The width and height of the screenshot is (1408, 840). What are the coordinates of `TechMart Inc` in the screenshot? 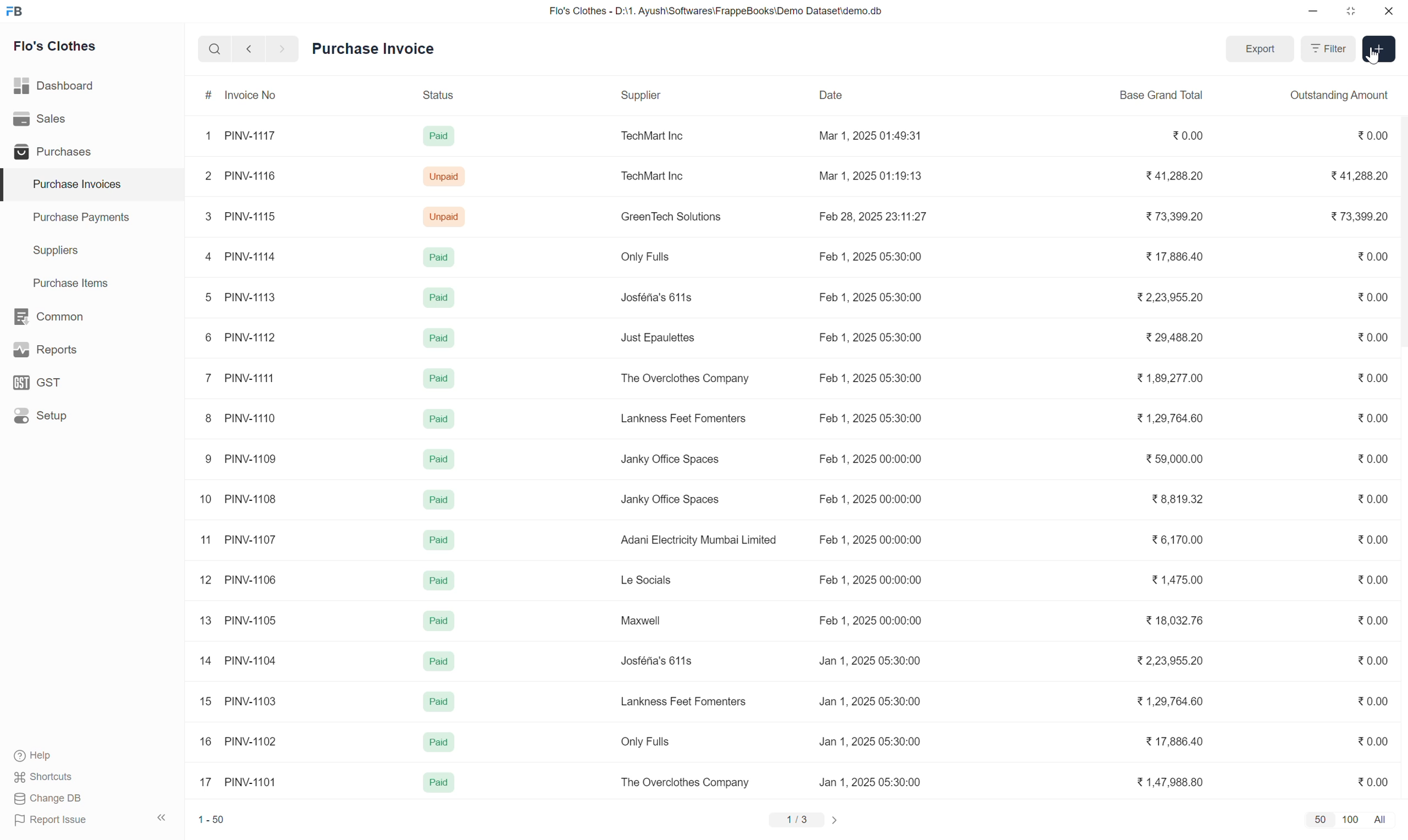 It's located at (654, 136).